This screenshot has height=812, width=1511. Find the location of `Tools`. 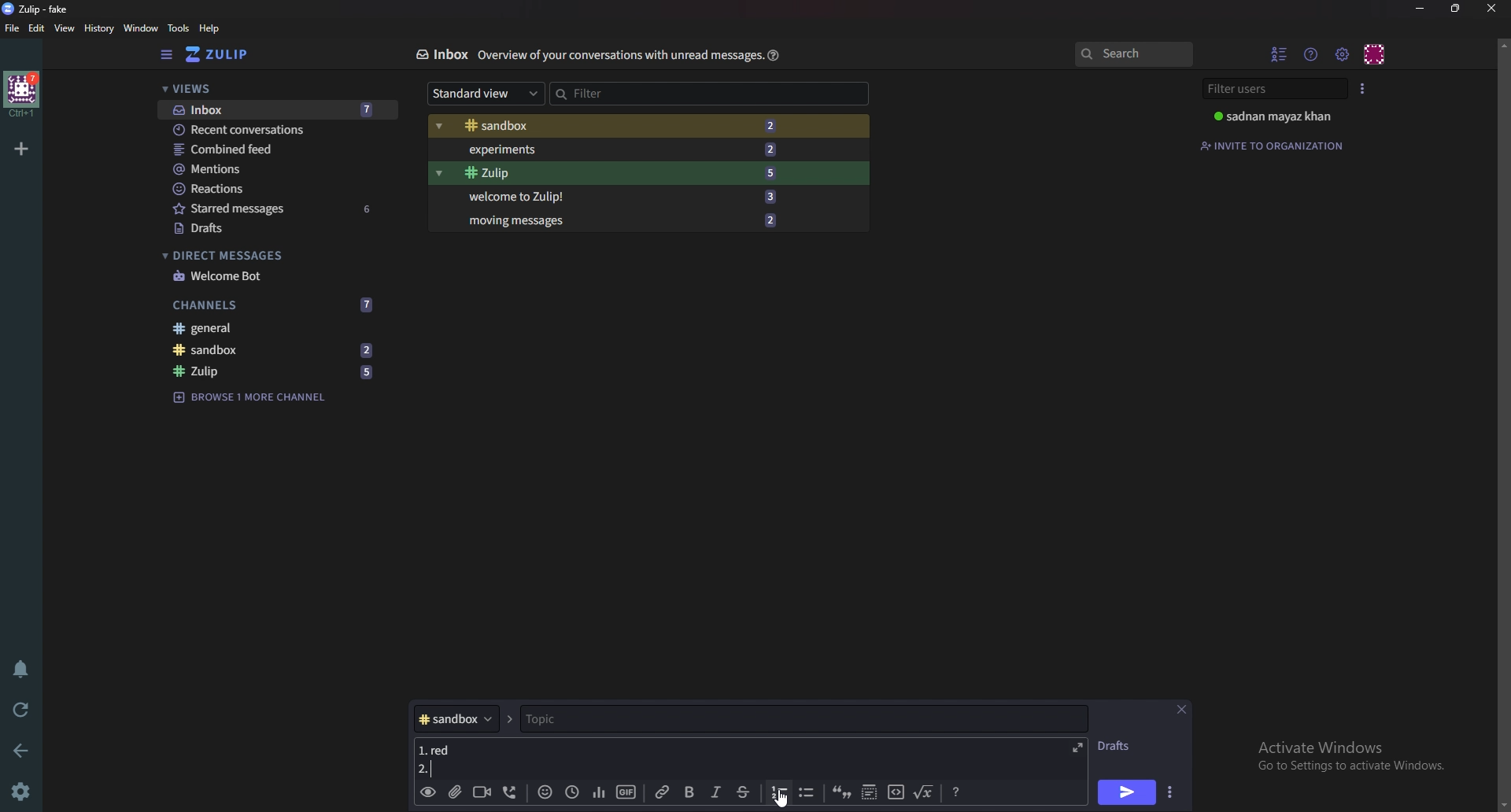

Tools is located at coordinates (178, 28).